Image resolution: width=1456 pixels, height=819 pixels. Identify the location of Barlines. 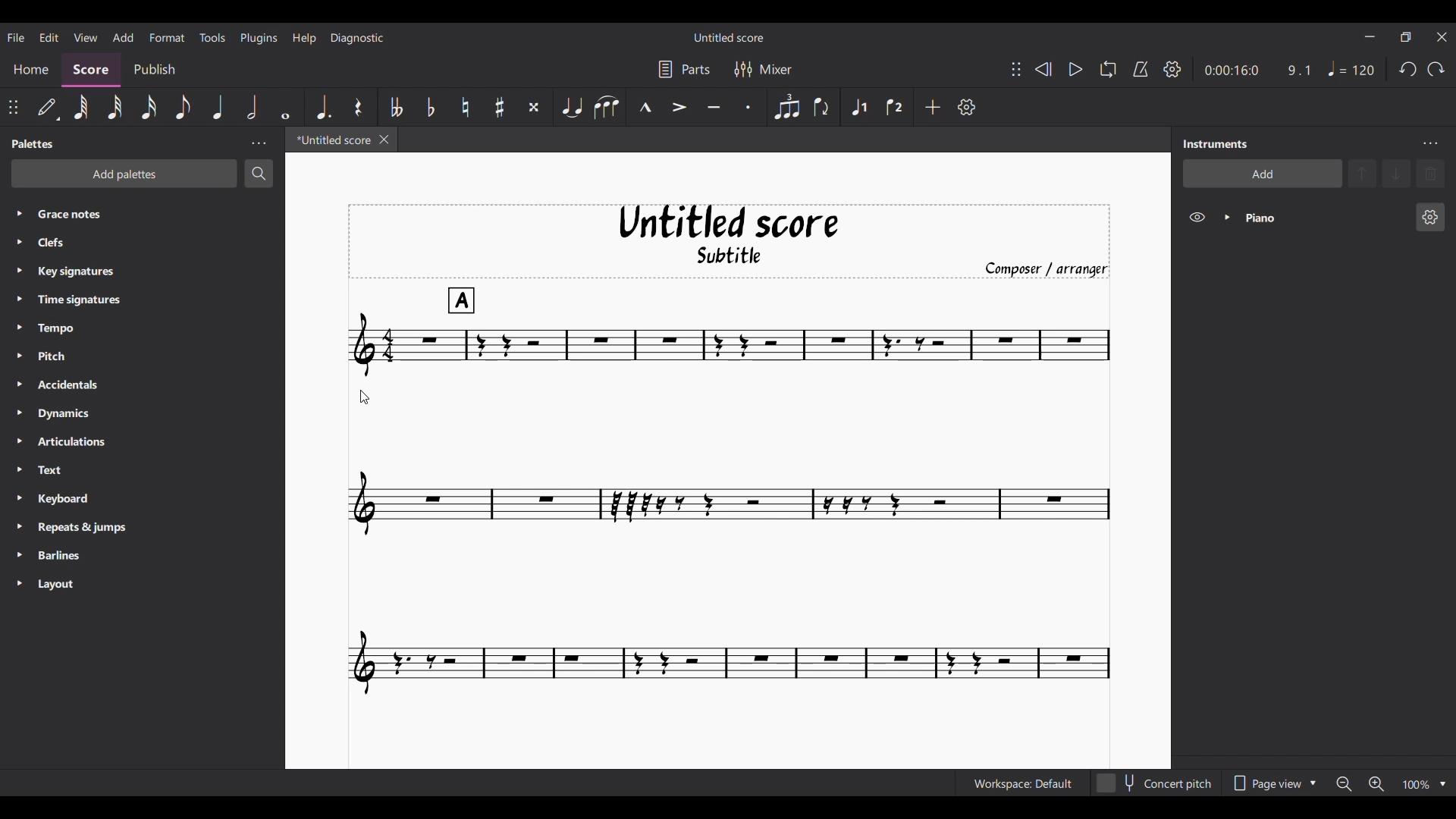
(82, 557).